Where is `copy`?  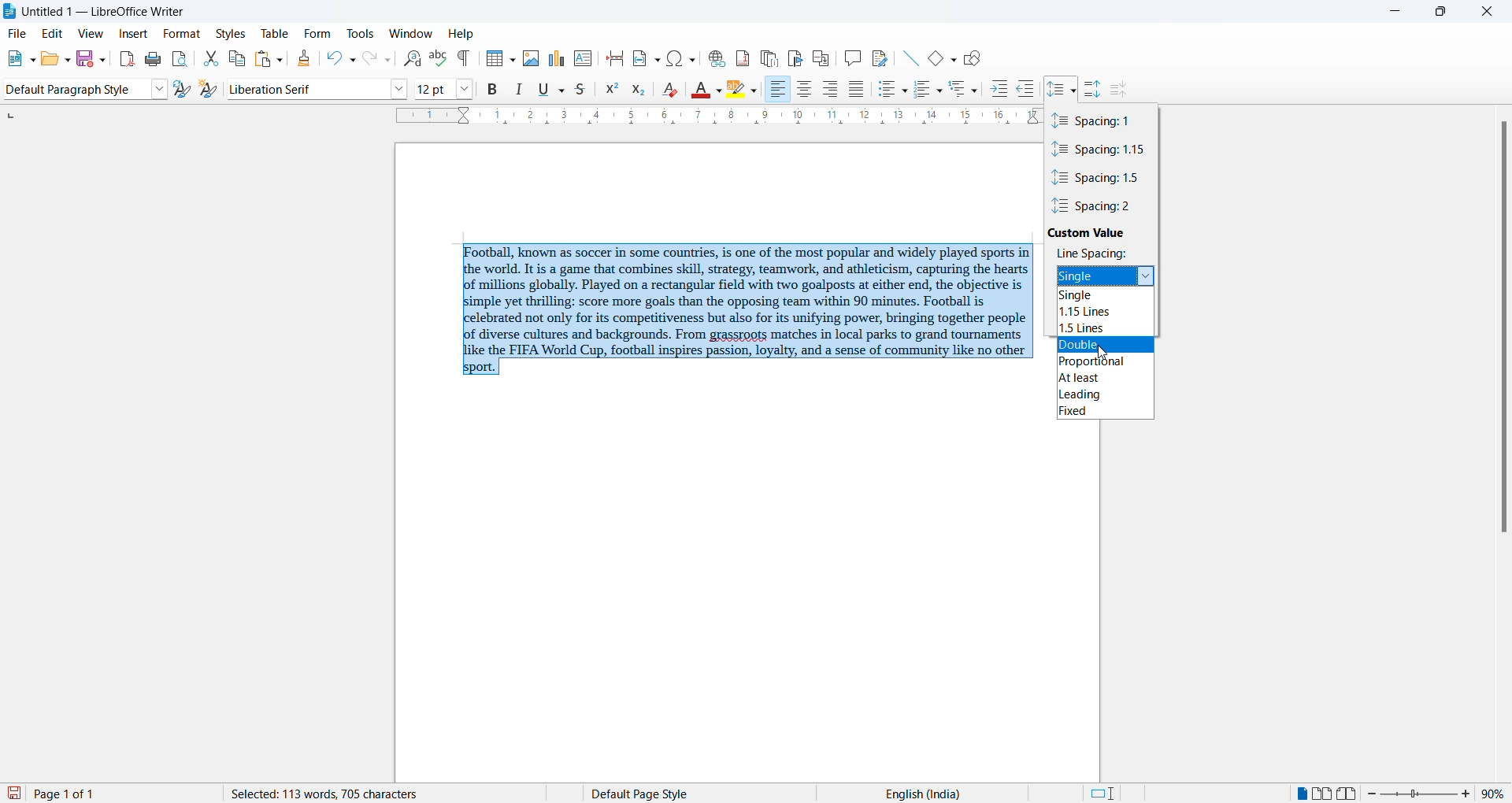 copy is located at coordinates (237, 59).